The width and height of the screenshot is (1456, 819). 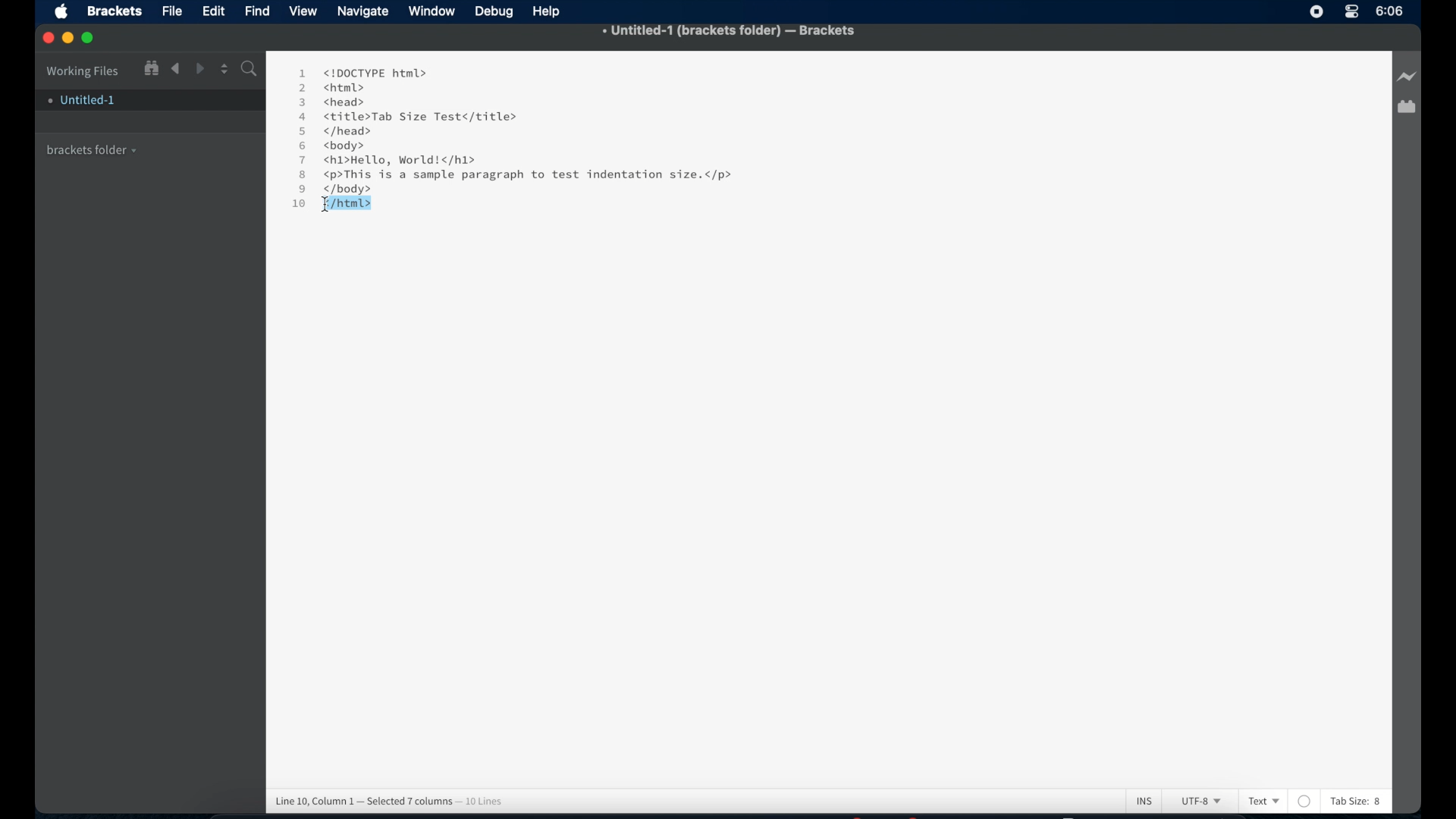 What do you see at coordinates (175, 69) in the screenshot?
I see `Left` at bounding box center [175, 69].